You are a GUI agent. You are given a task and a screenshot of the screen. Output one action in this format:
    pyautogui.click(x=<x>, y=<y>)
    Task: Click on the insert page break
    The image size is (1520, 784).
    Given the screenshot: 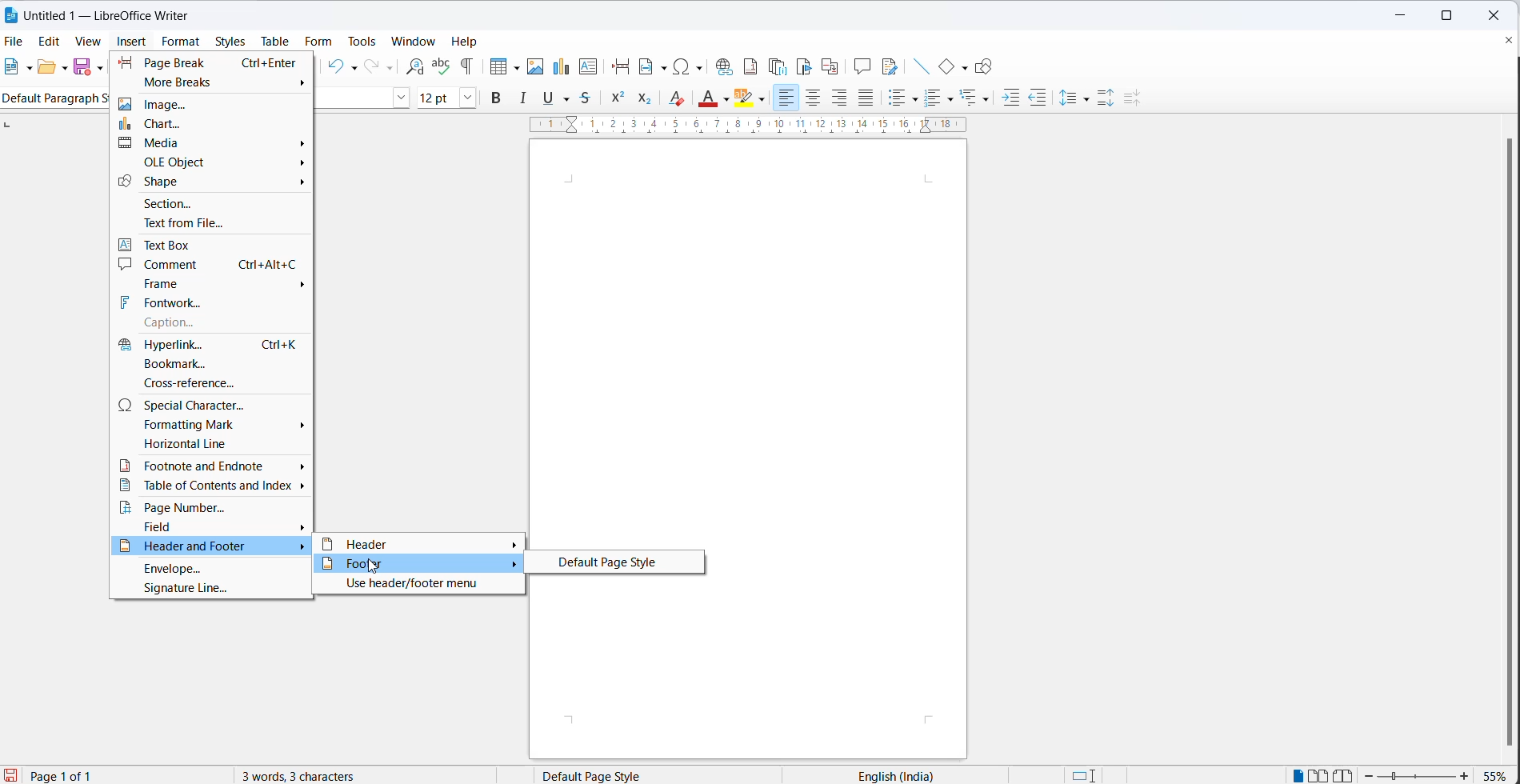 What is the action you would take?
    pyautogui.click(x=620, y=67)
    